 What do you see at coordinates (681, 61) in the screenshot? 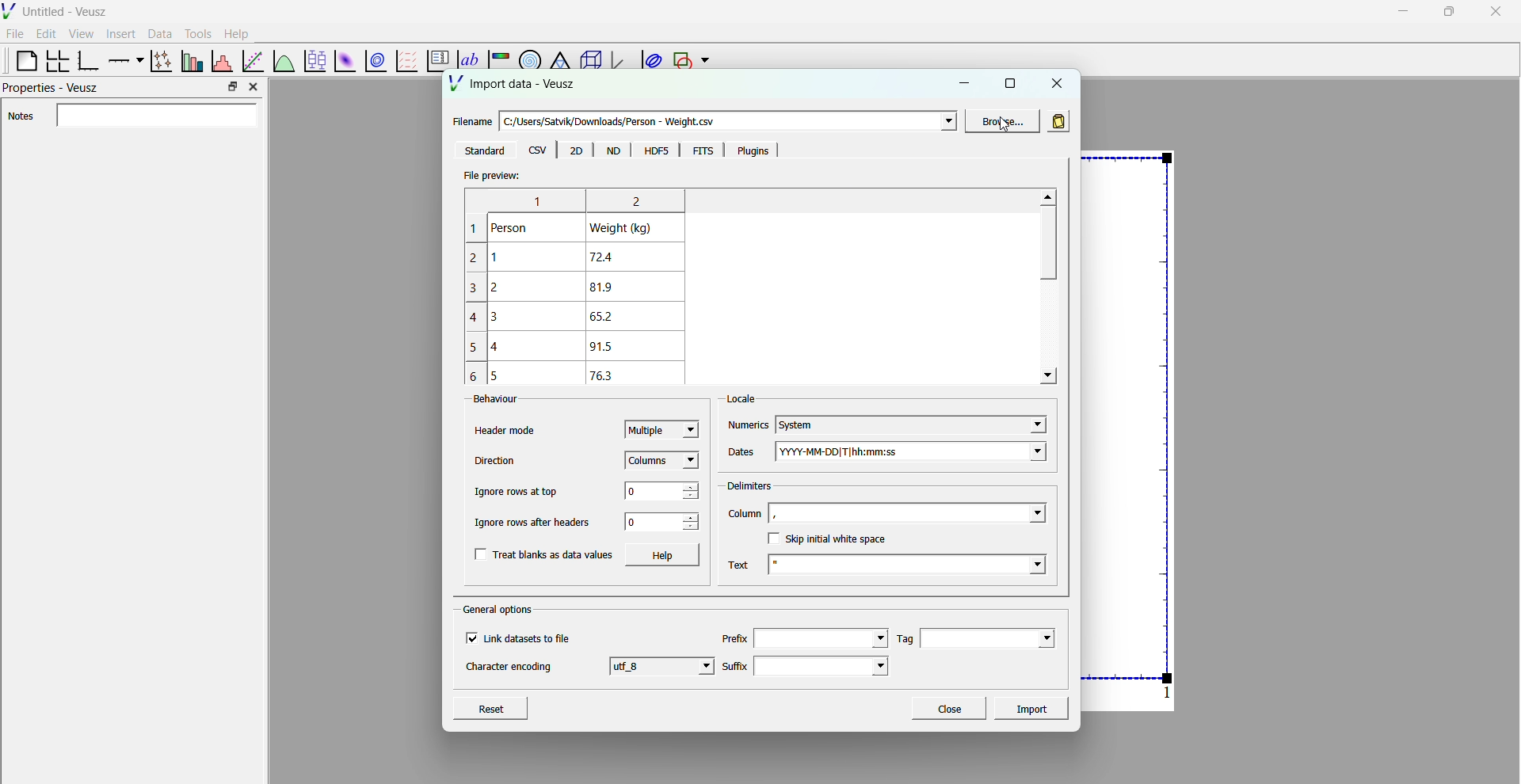
I see `add a shape to the plot` at bounding box center [681, 61].